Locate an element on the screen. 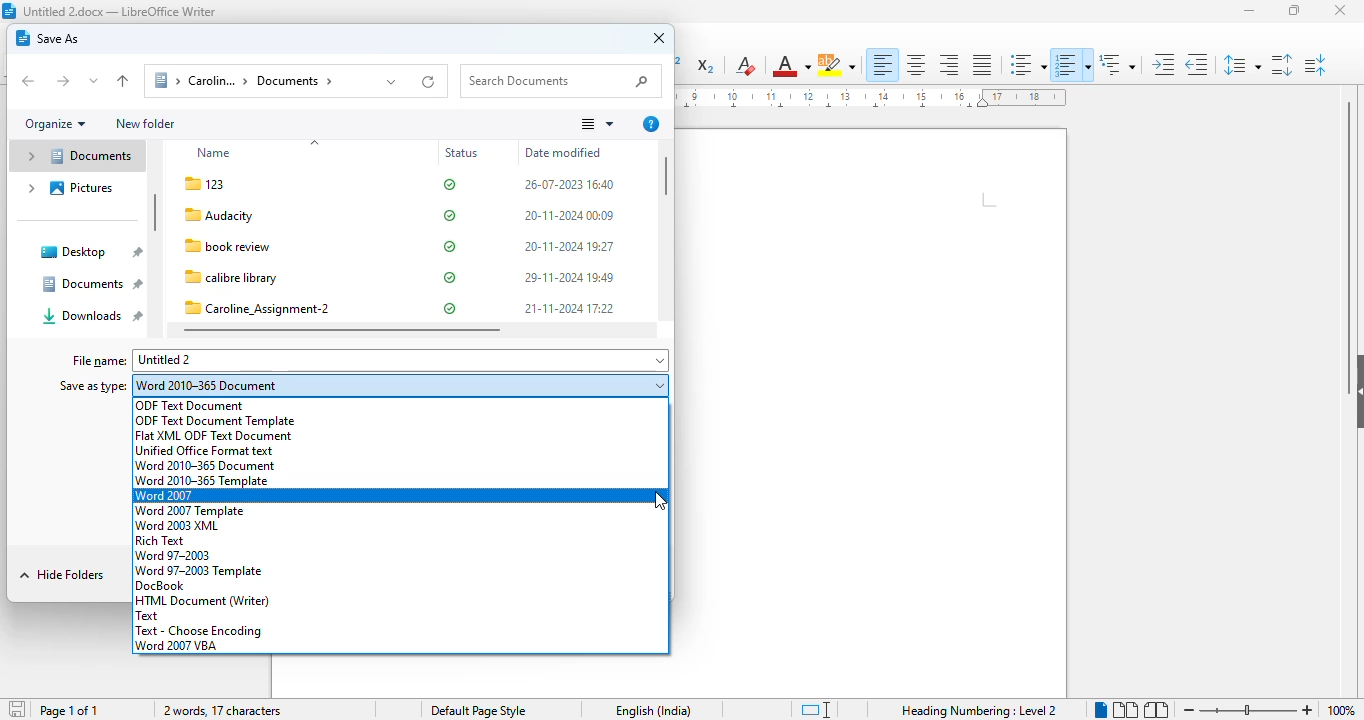 The height and width of the screenshot is (720, 1364). set outline format is located at coordinates (1117, 63).